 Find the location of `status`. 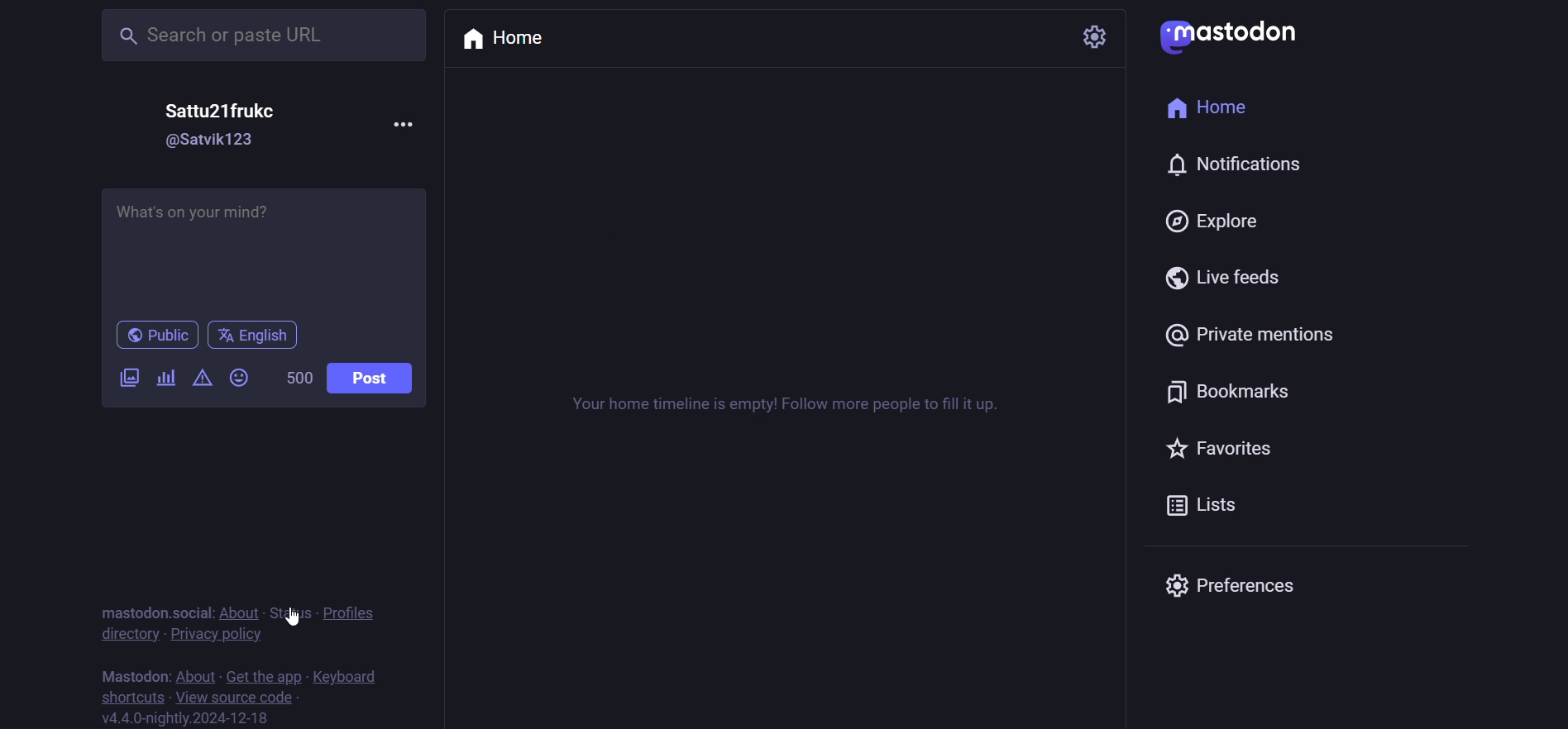

status is located at coordinates (289, 609).